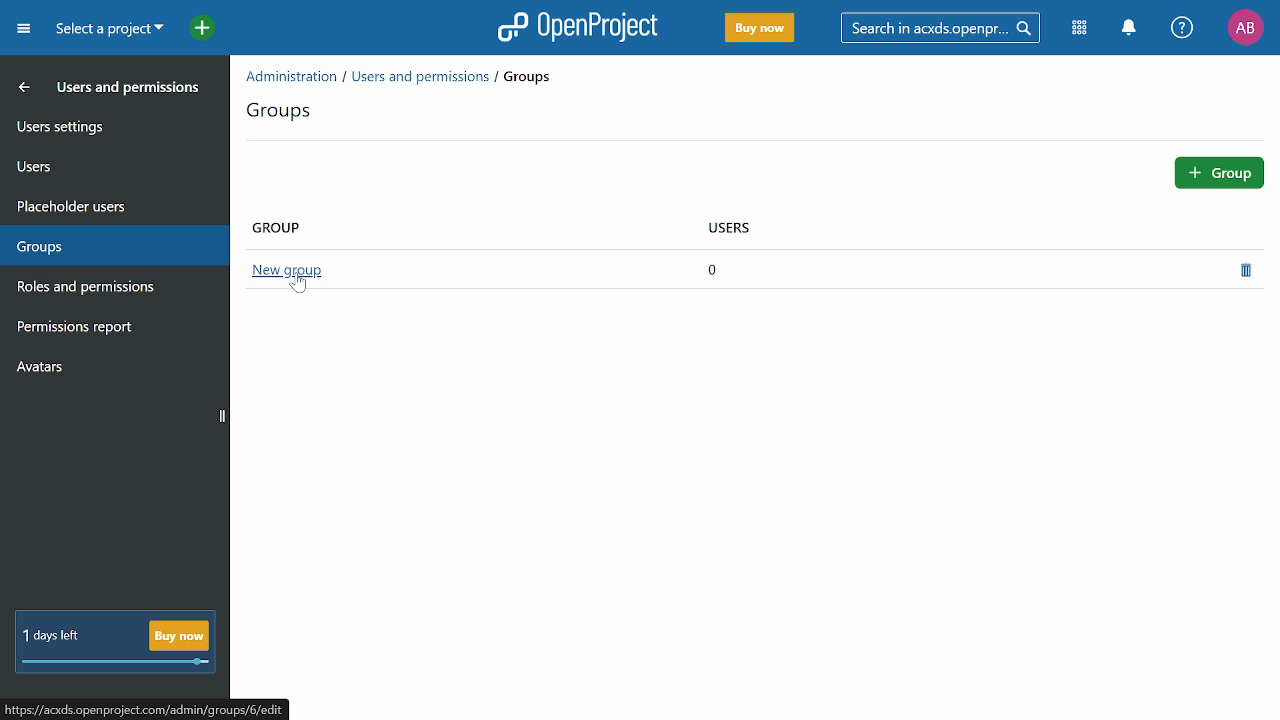 The width and height of the screenshot is (1280, 720). What do you see at coordinates (1250, 270) in the screenshot?
I see `delete` at bounding box center [1250, 270].